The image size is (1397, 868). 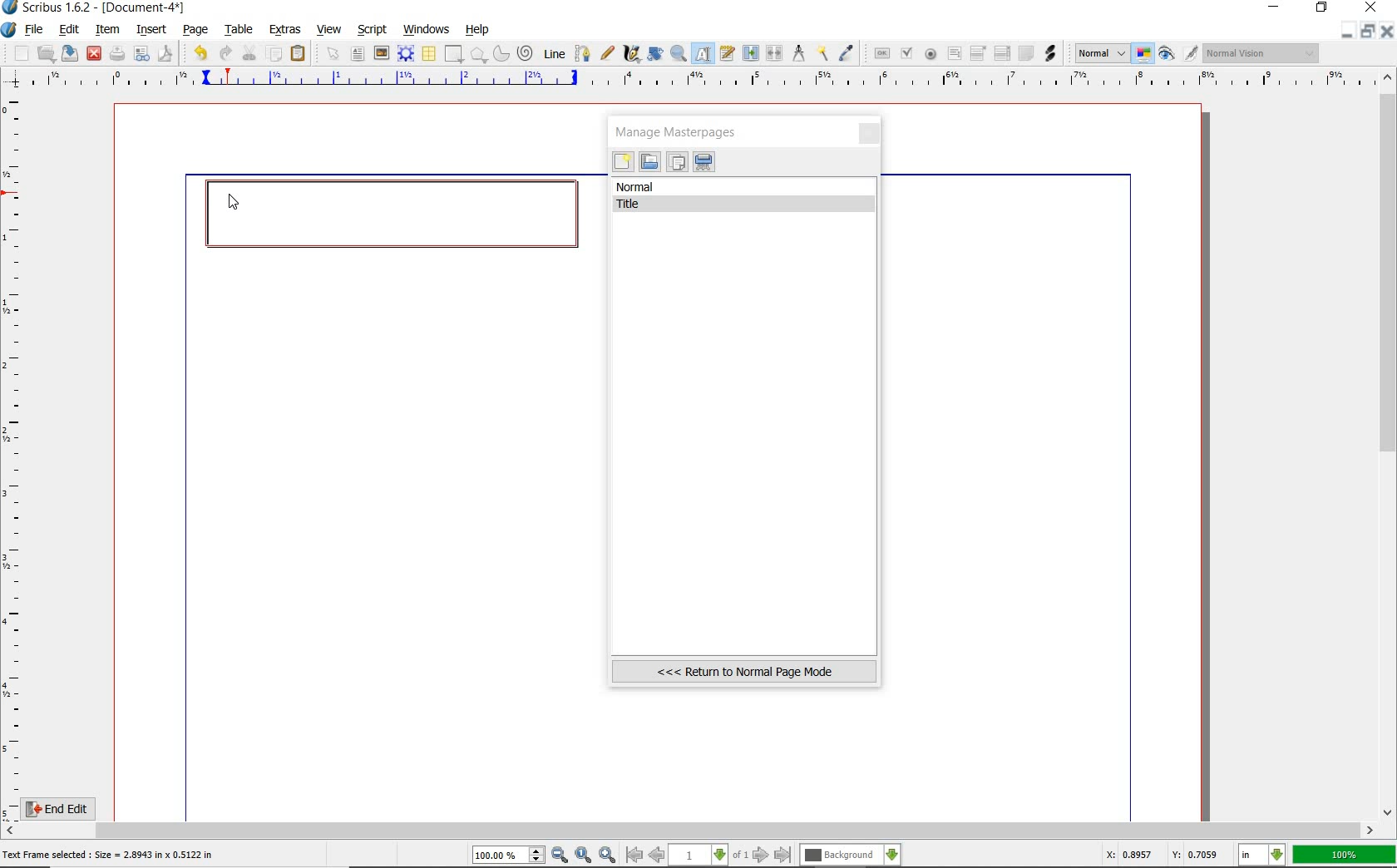 What do you see at coordinates (681, 131) in the screenshot?
I see `manage masterpages` at bounding box center [681, 131].